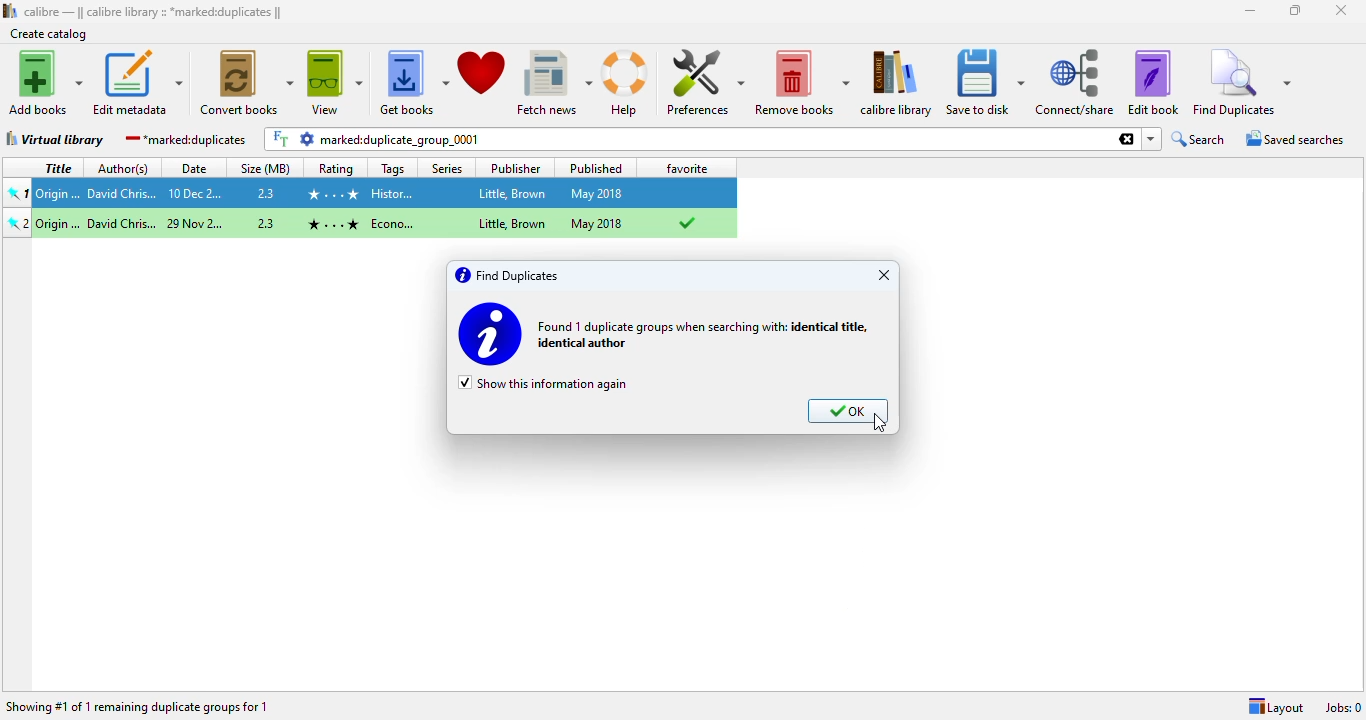 The image size is (1366, 720). Describe the element at coordinates (1298, 10) in the screenshot. I see `maximize` at that location.